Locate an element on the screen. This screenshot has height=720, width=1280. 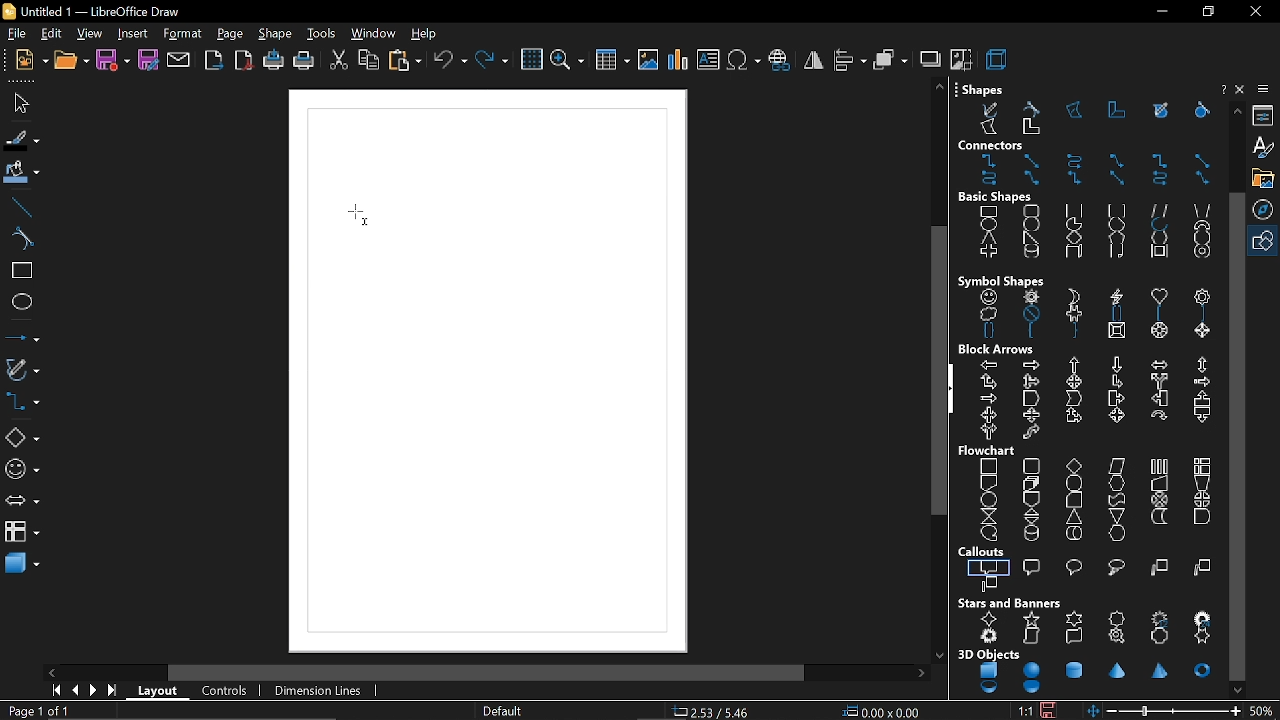
shape is located at coordinates (277, 35).